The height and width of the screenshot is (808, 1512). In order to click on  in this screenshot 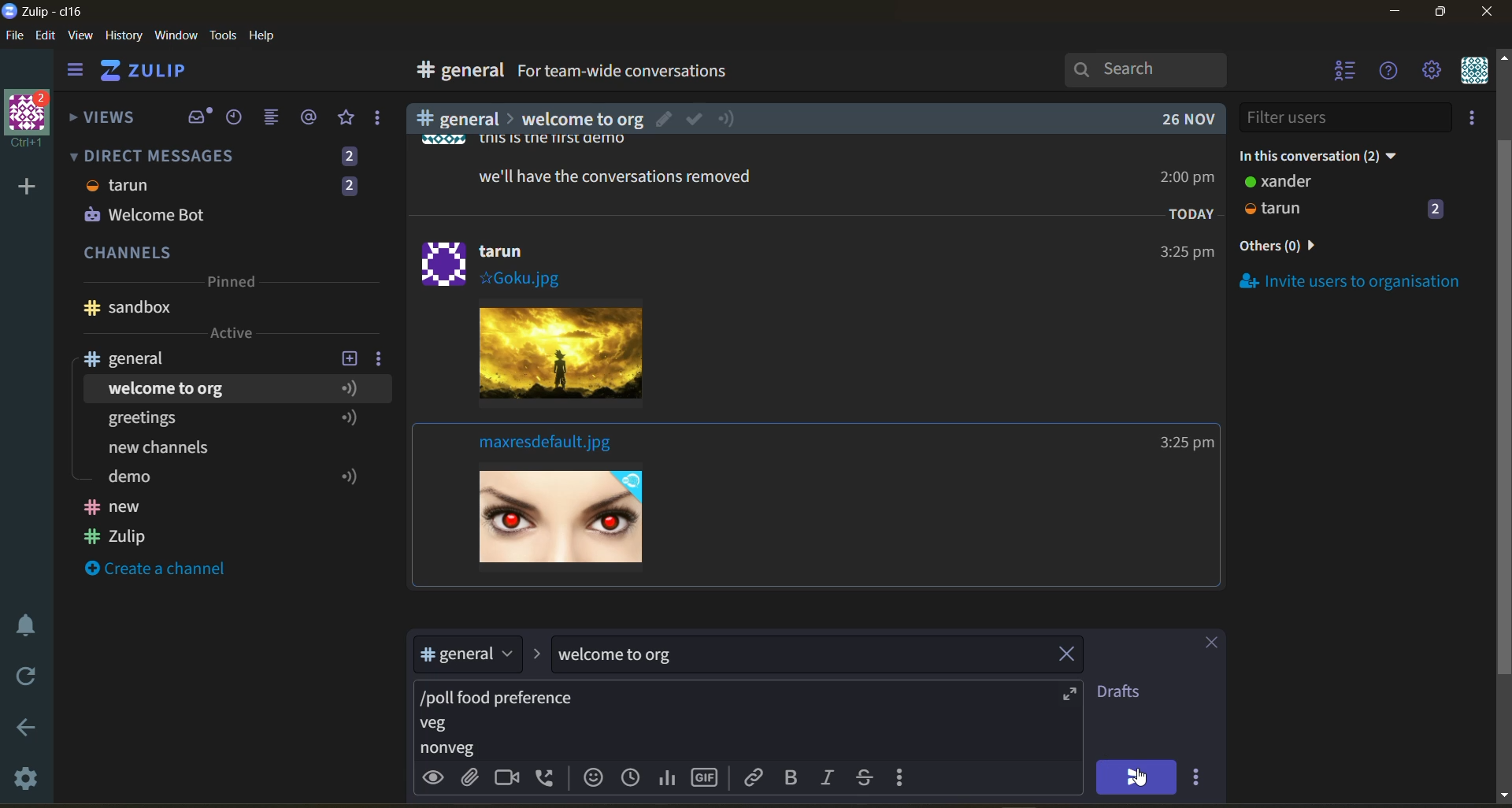, I will do `click(1182, 118)`.